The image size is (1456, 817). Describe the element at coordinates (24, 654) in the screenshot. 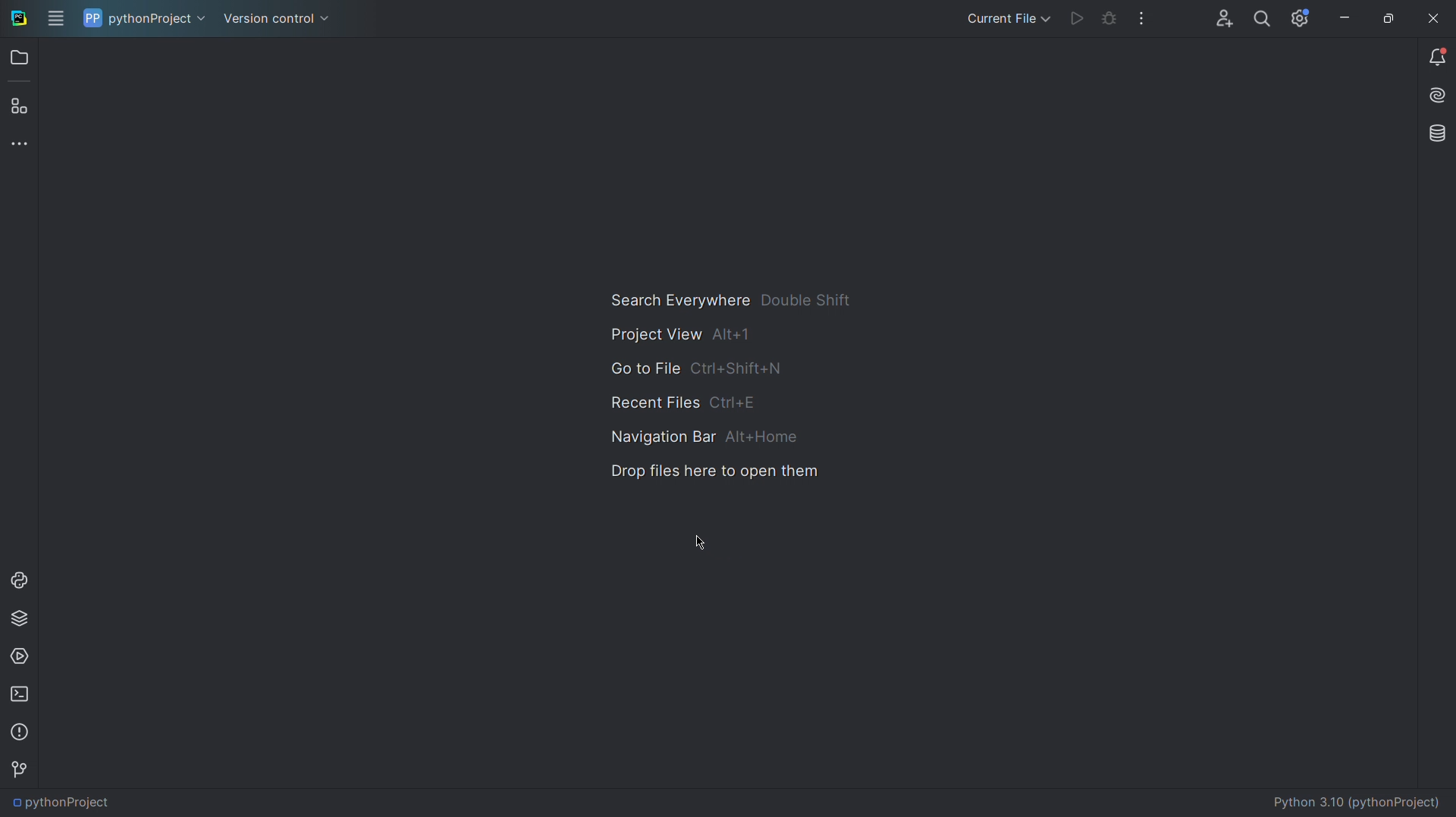

I see `Services` at that location.